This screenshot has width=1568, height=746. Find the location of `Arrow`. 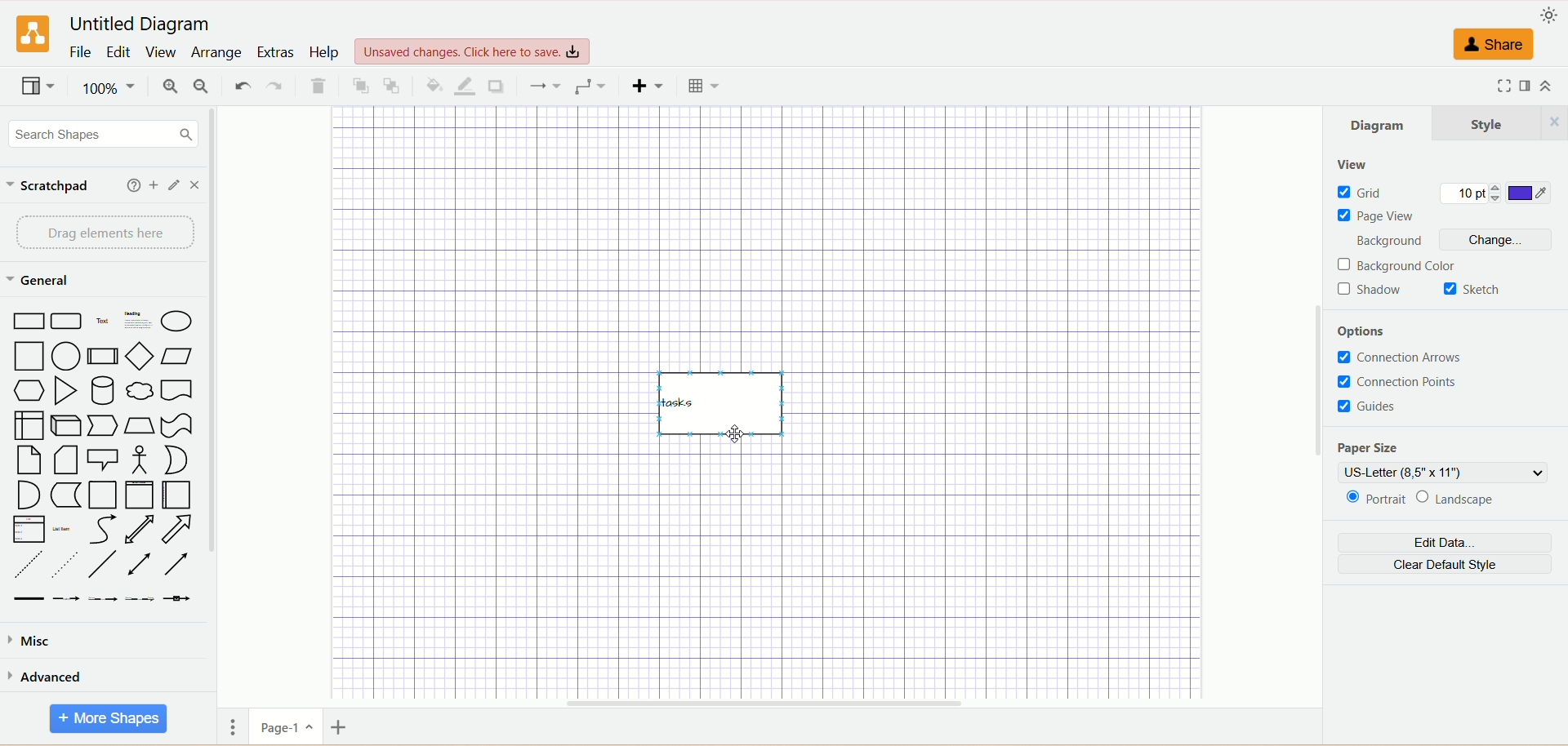

Arrow is located at coordinates (178, 529).